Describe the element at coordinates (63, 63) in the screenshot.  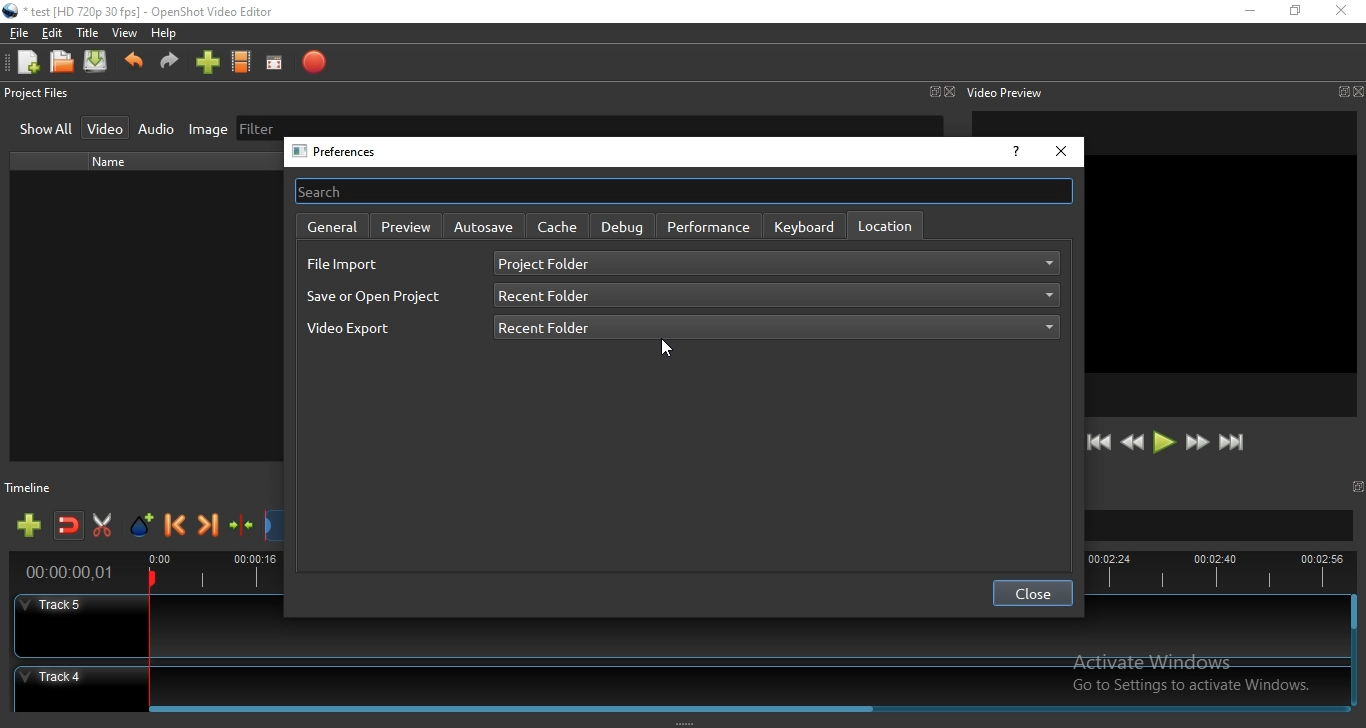
I see `Open project` at that location.